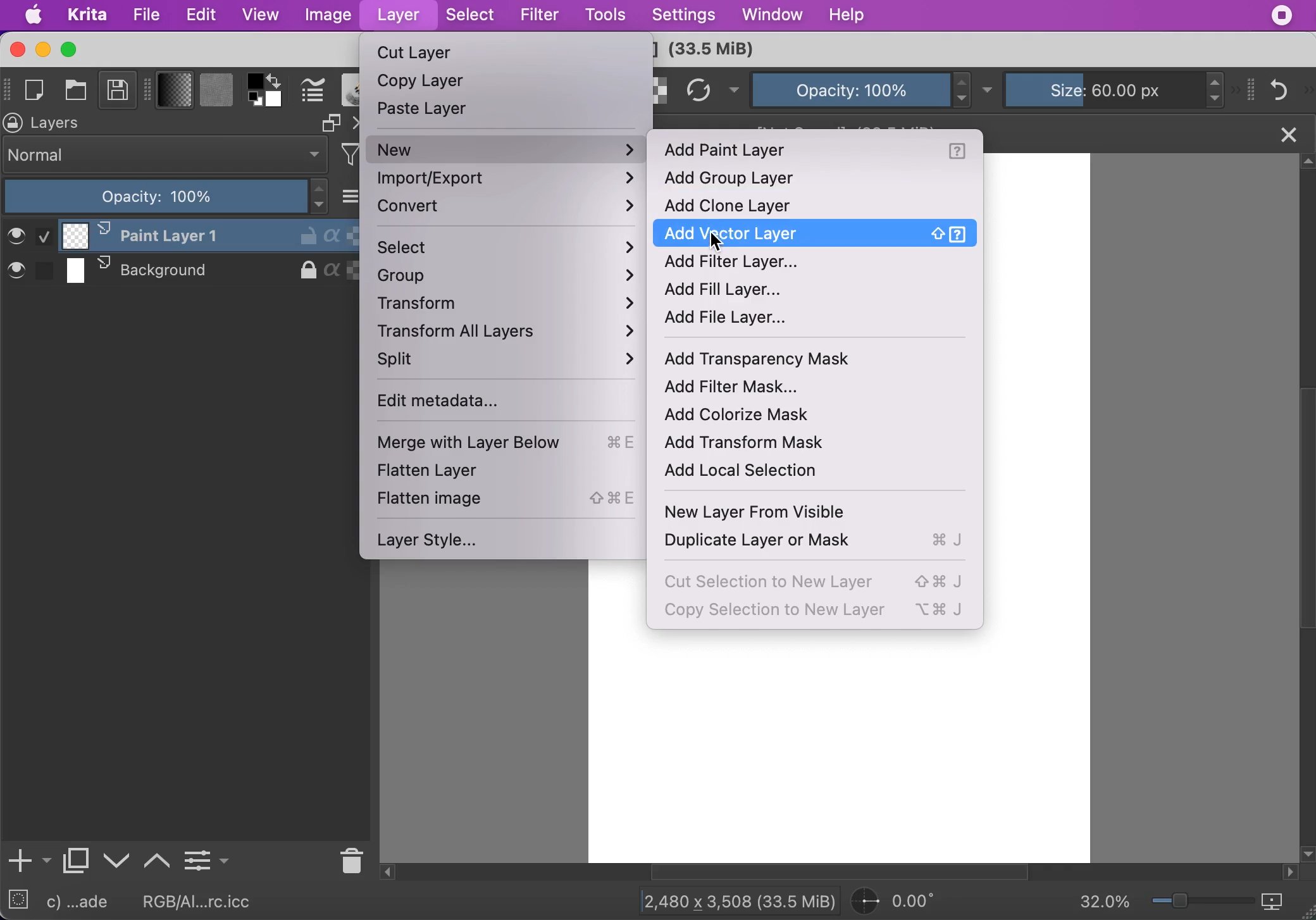 The width and height of the screenshot is (1316, 920). What do you see at coordinates (158, 859) in the screenshot?
I see `move layer or mask up` at bounding box center [158, 859].